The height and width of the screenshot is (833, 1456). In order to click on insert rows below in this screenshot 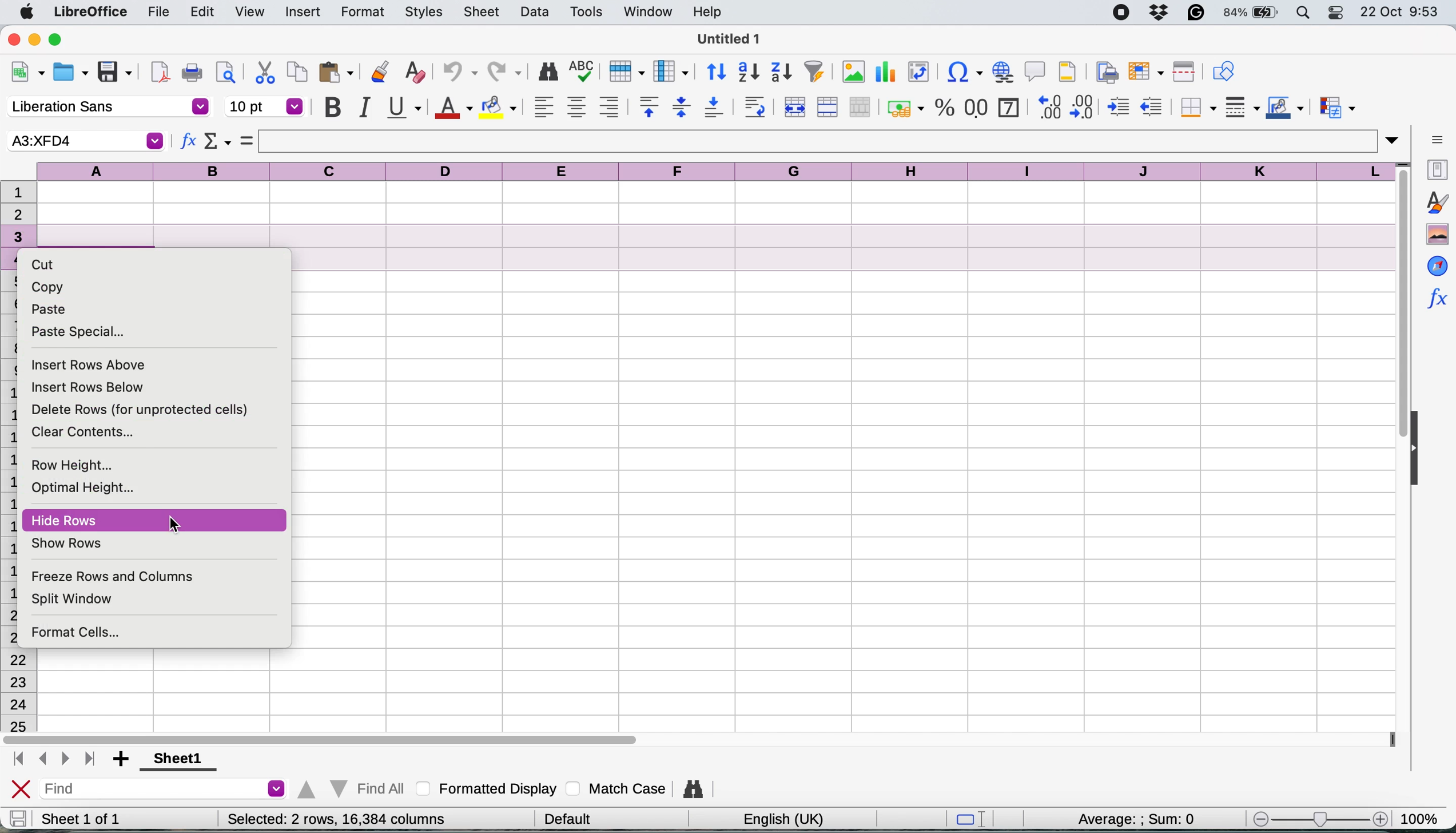, I will do `click(87, 387)`.